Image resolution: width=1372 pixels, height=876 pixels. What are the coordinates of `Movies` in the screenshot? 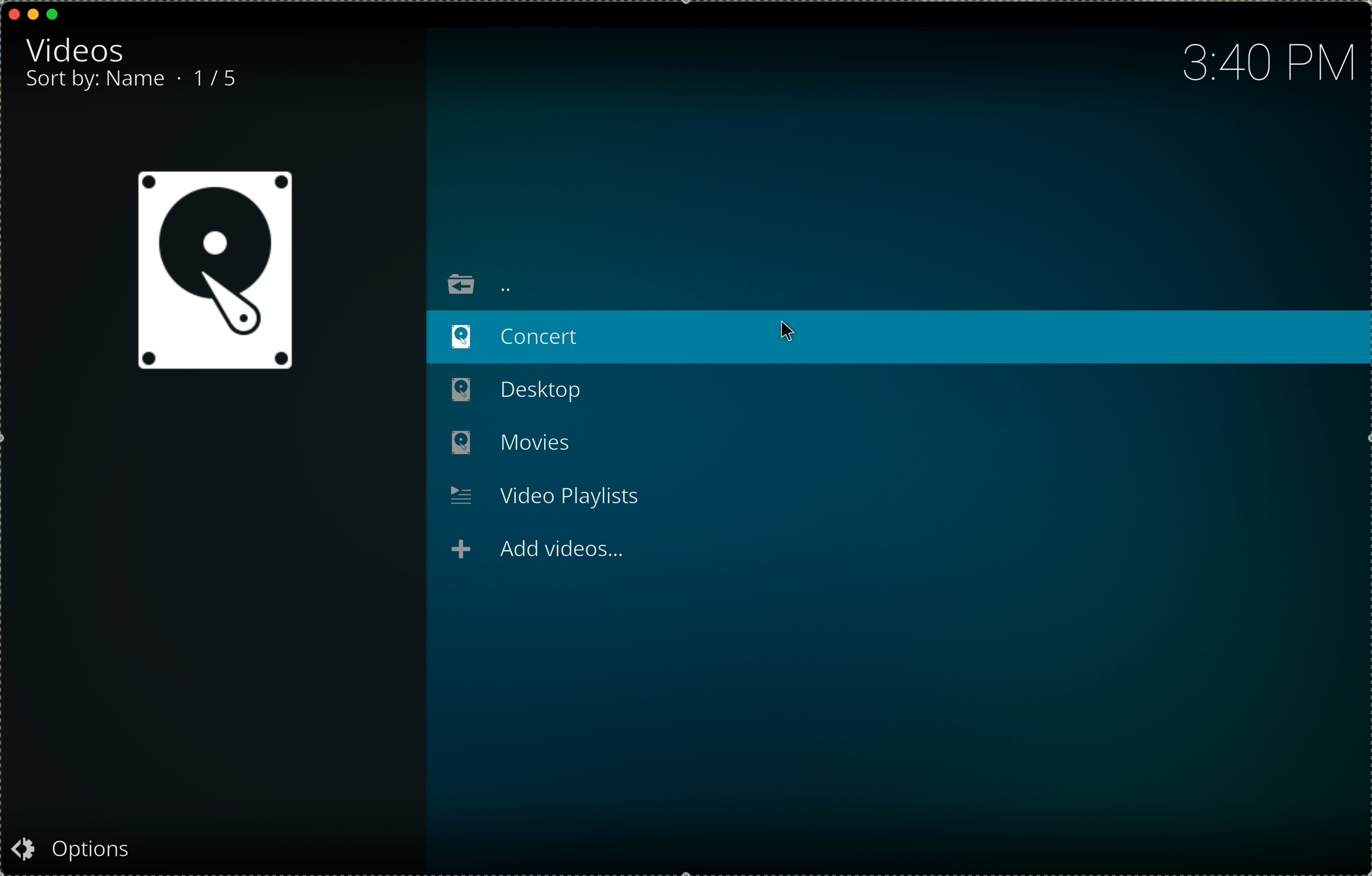 It's located at (514, 439).